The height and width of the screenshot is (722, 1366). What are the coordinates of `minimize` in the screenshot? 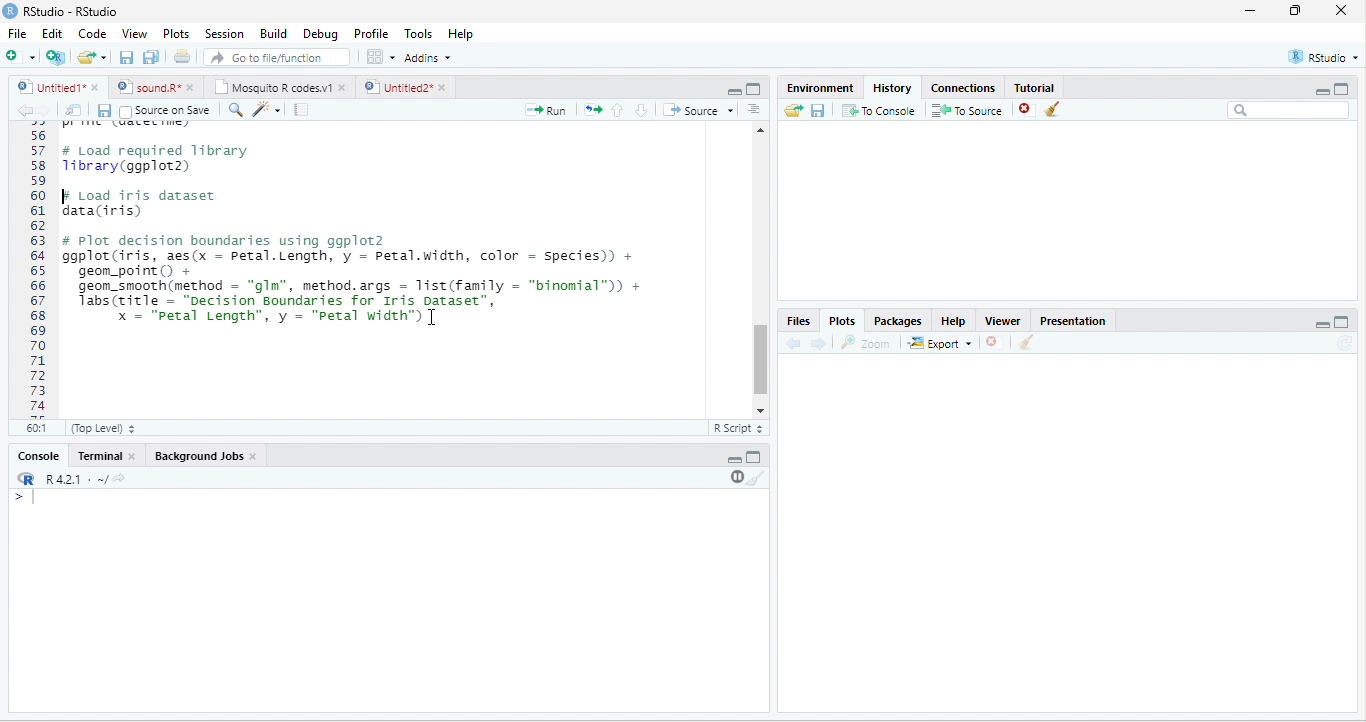 It's located at (735, 460).